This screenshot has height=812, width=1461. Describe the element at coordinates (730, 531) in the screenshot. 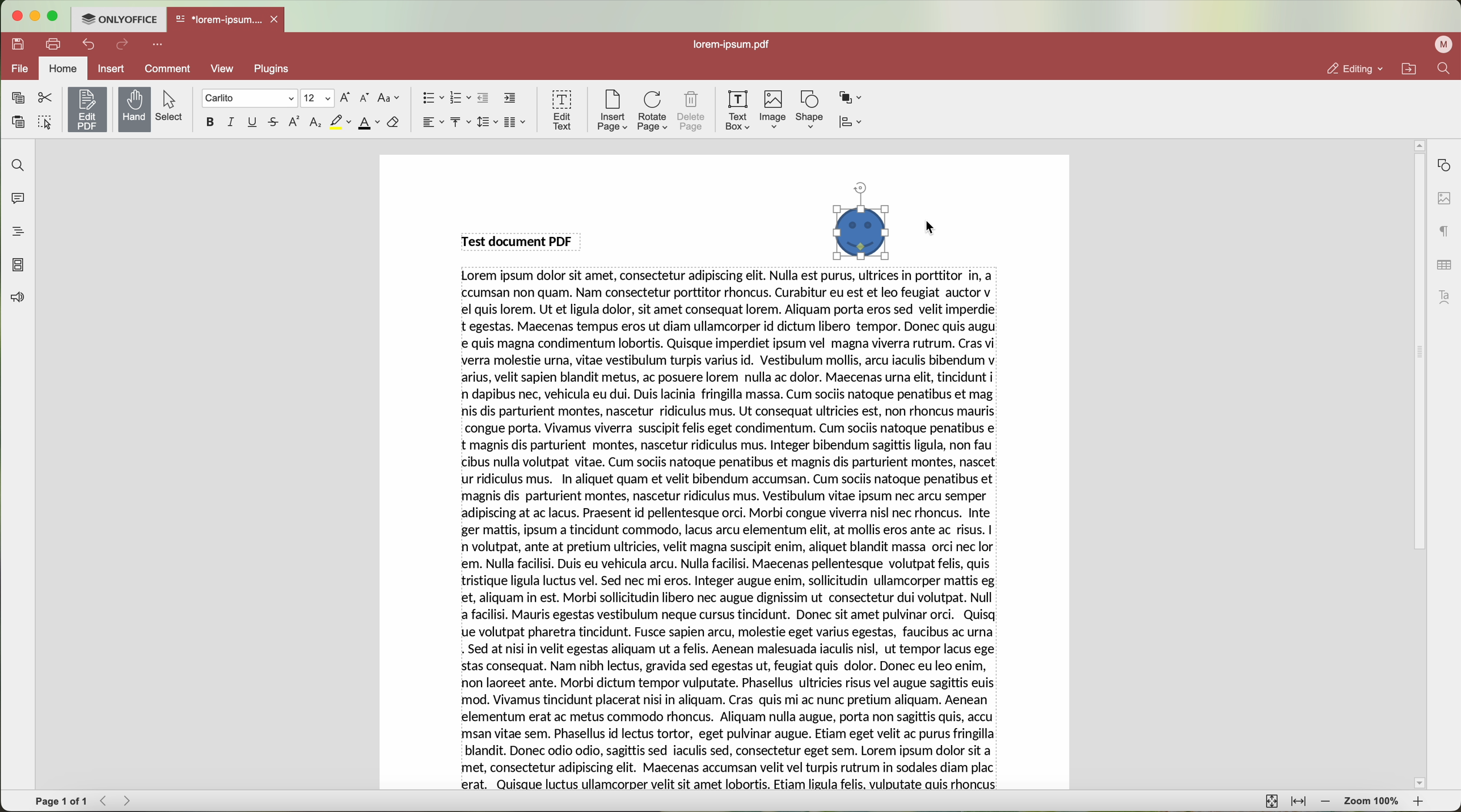

I see `selected text` at that location.